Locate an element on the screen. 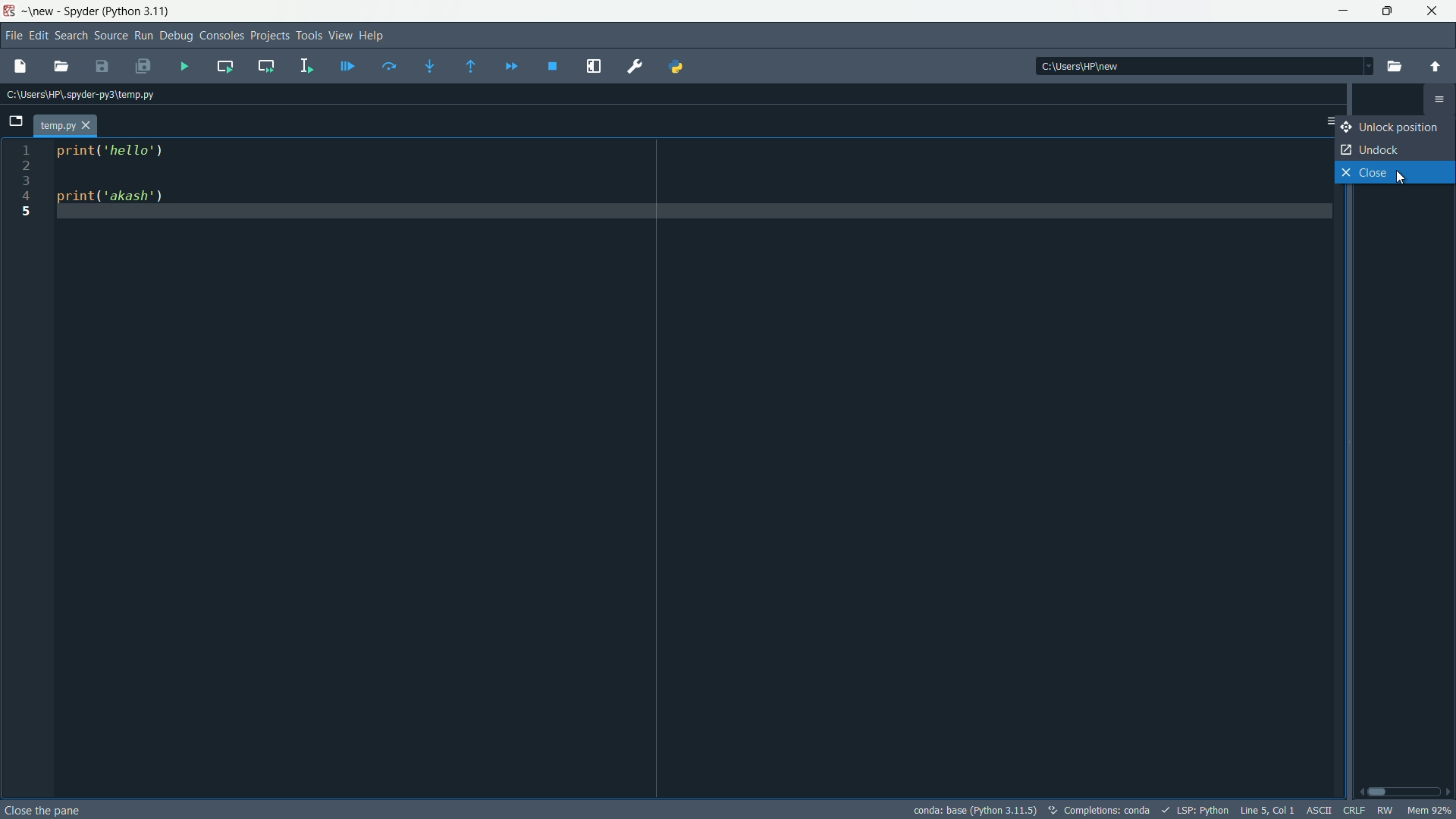  maximize current pain is located at coordinates (591, 65).